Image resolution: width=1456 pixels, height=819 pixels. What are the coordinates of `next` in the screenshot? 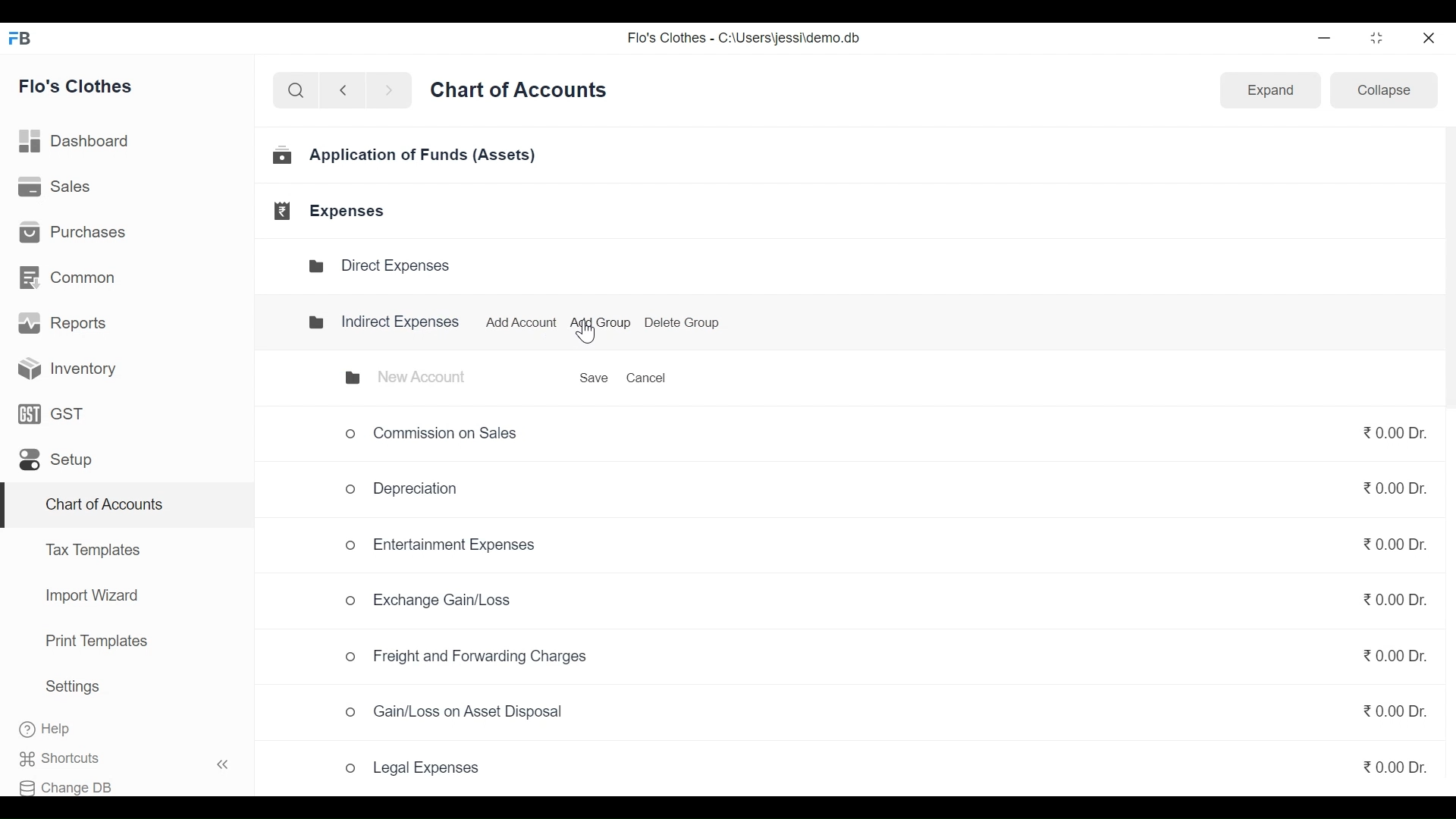 It's located at (391, 93).